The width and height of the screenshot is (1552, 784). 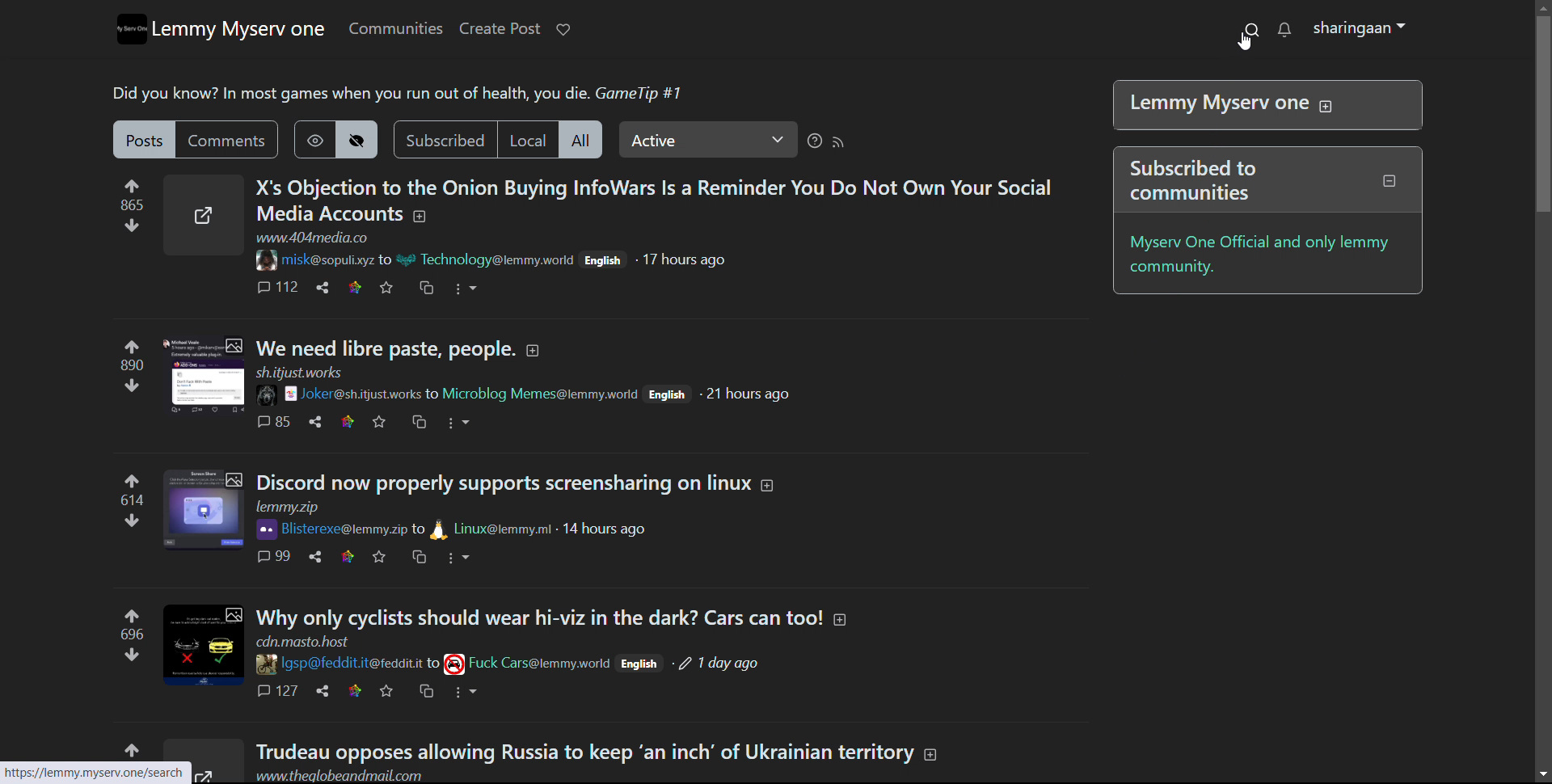 I want to click on Post URL, so click(x=315, y=238).